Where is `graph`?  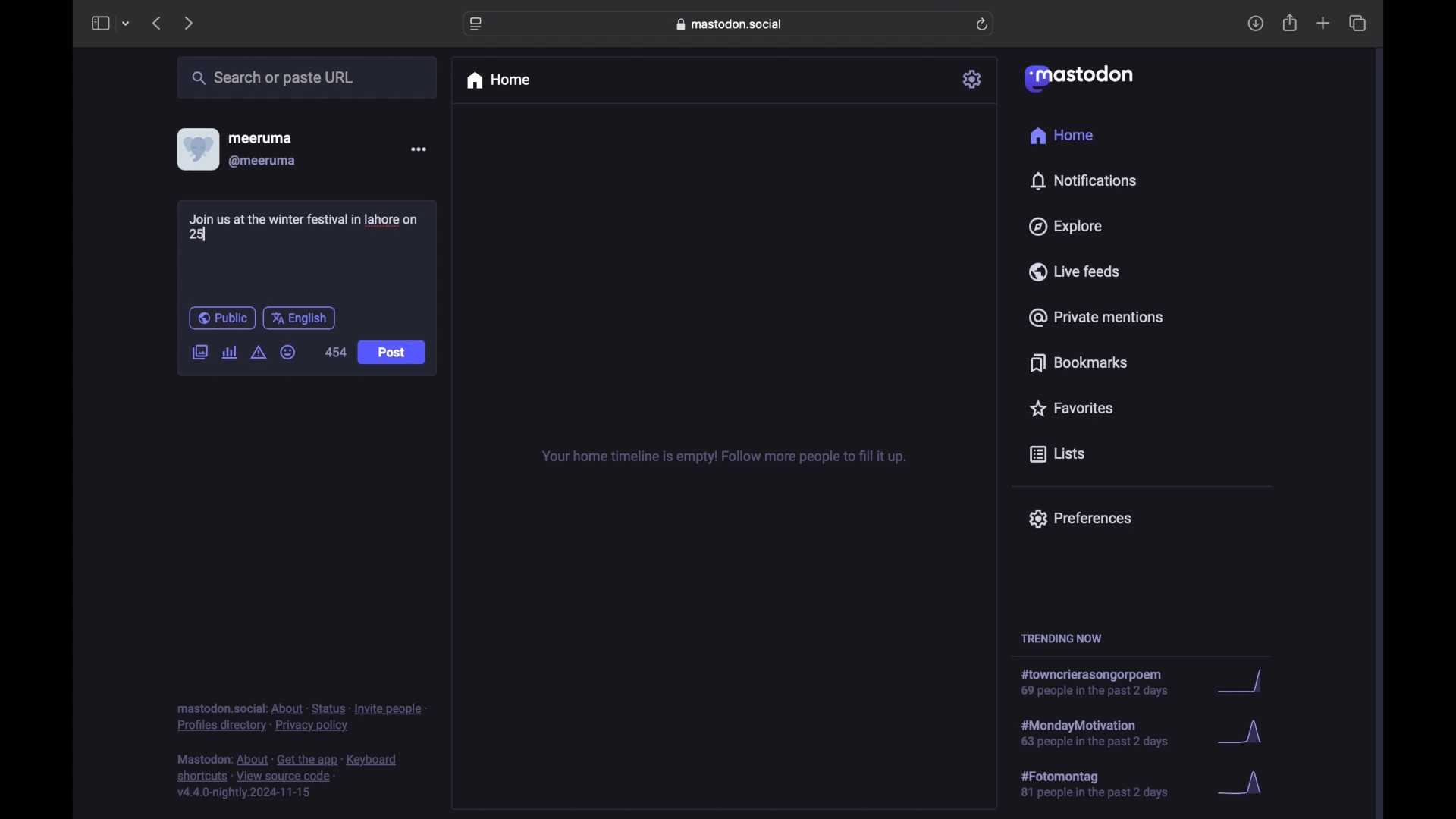 graph is located at coordinates (1245, 784).